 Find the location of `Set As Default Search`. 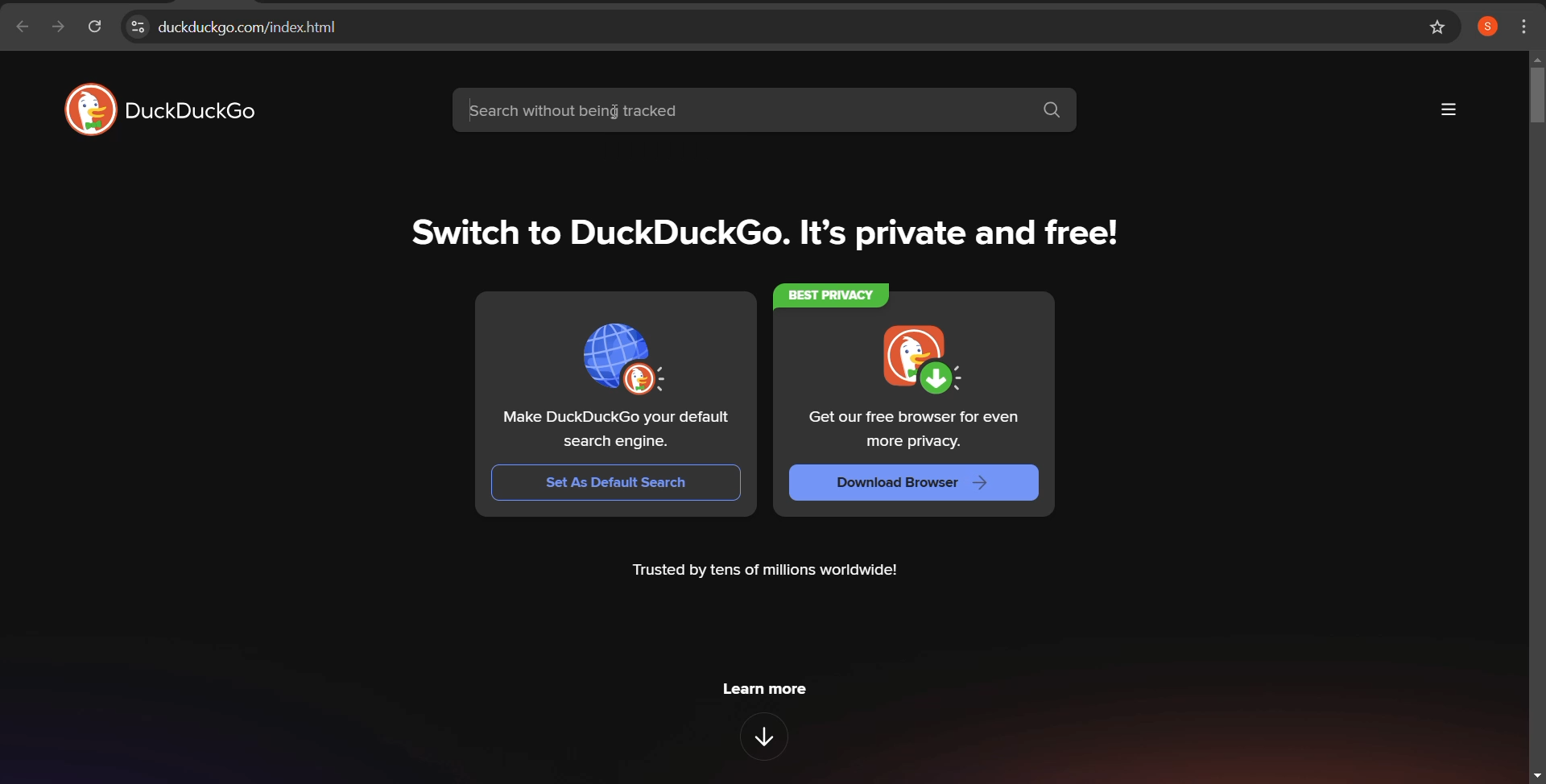

Set As Default Search is located at coordinates (618, 481).